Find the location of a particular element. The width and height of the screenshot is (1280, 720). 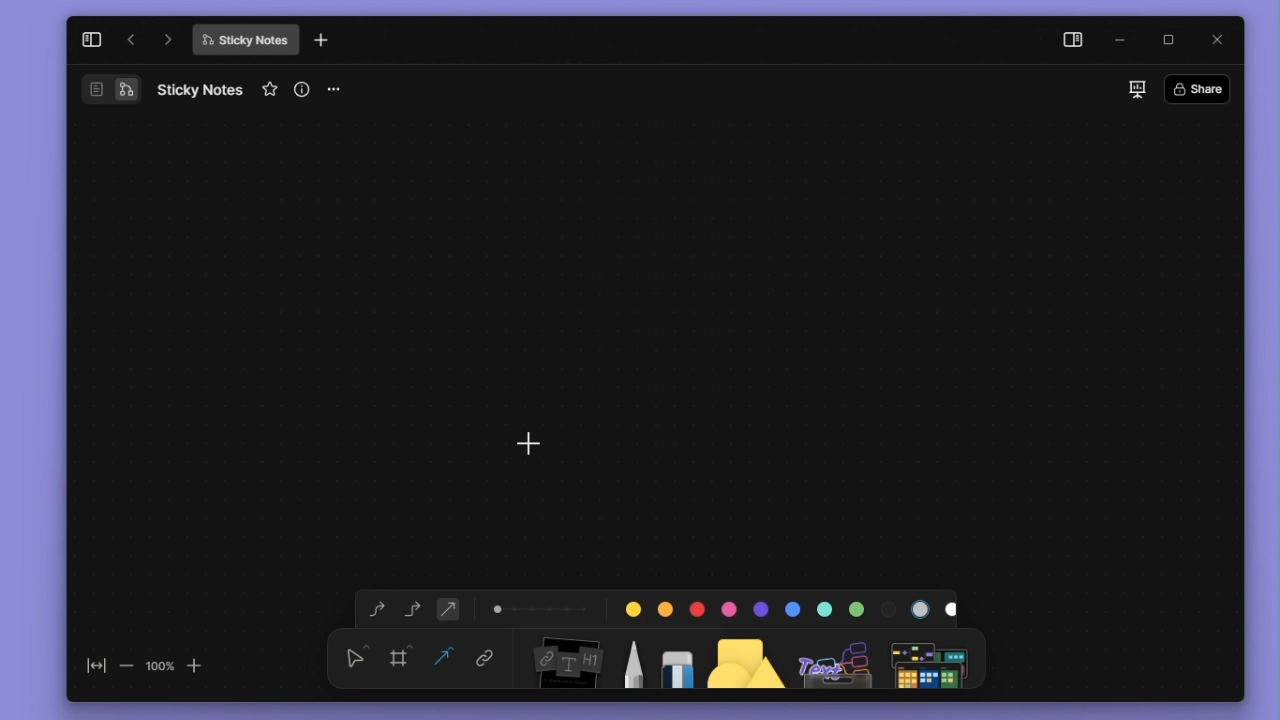

frame is located at coordinates (403, 656).